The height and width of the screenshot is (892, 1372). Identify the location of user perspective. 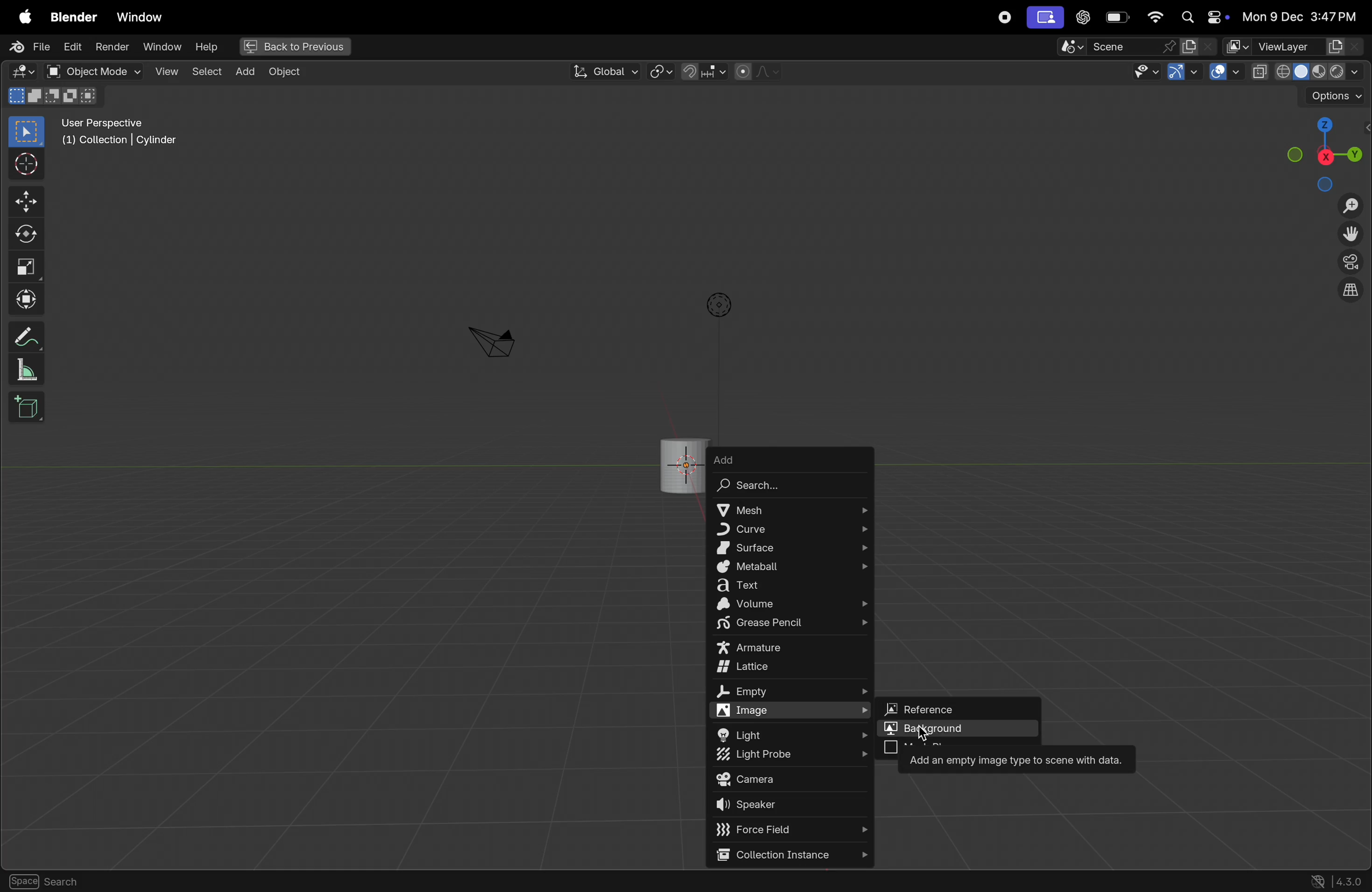
(123, 134).